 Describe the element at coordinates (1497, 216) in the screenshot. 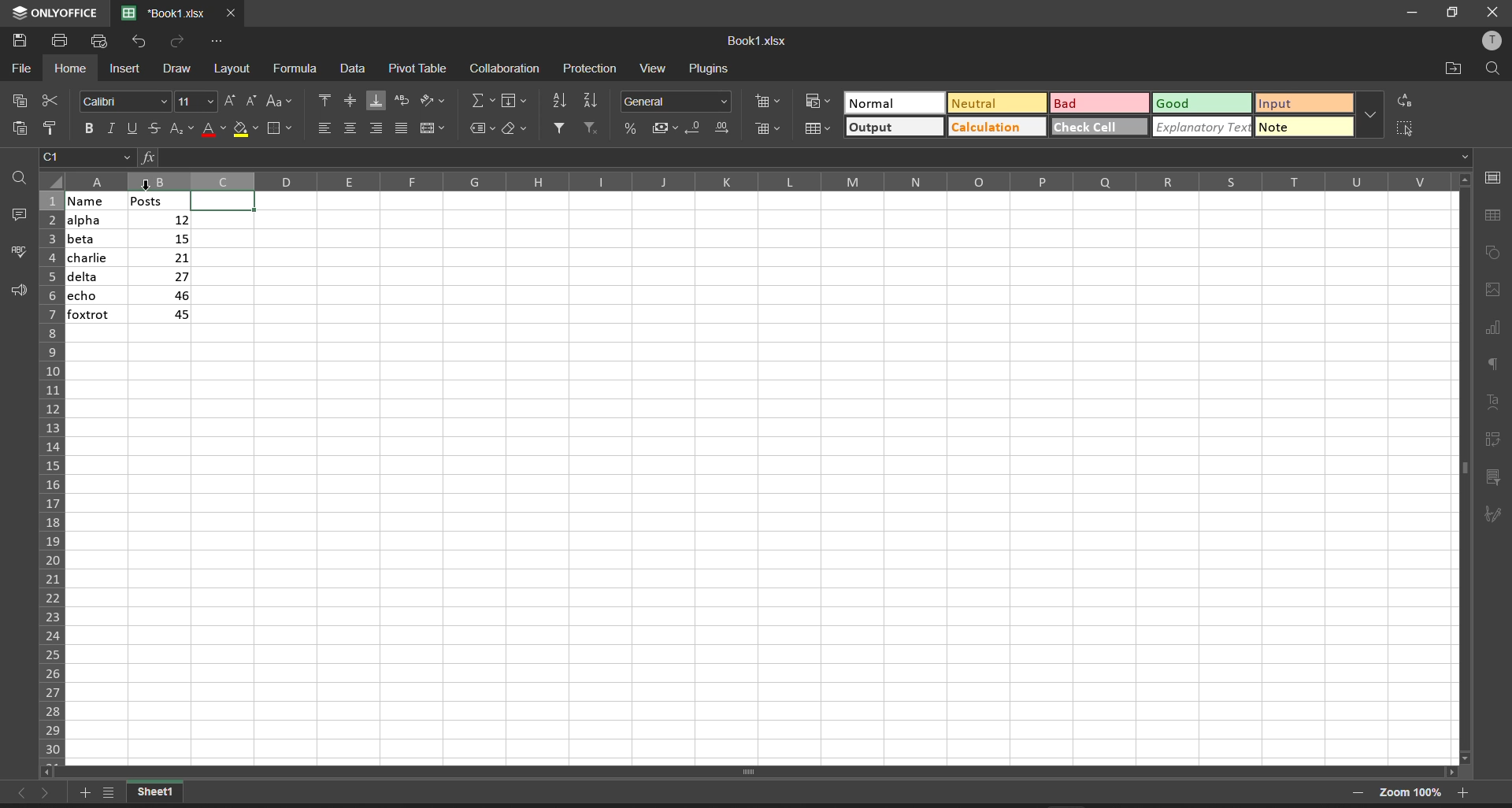

I see `table settings` at that location.